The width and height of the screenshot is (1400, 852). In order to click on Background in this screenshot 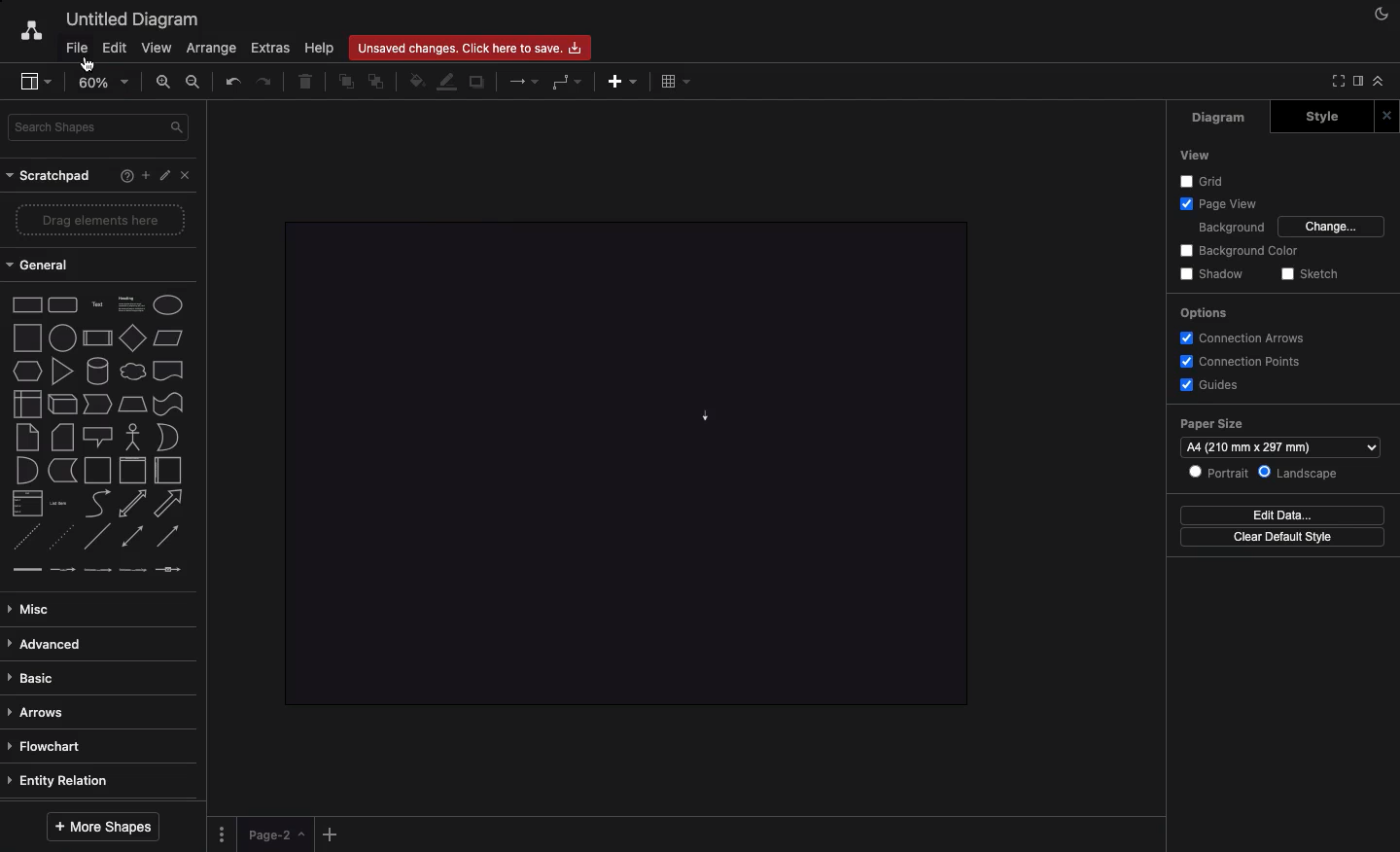, I will do `click(1230, 226)`.